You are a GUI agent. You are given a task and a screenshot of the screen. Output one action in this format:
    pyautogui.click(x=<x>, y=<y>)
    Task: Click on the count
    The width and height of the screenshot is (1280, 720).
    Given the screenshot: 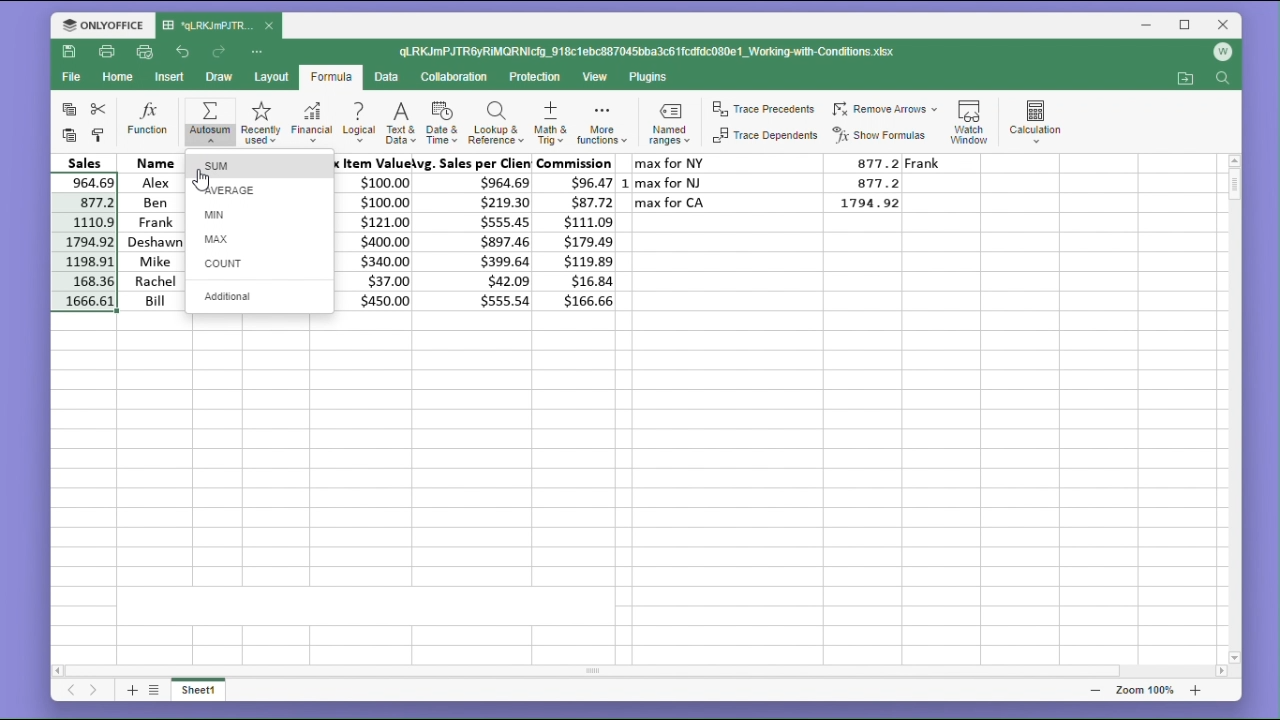 What is the action you would take?
    pyautogui.click(x=260, y=265)
    